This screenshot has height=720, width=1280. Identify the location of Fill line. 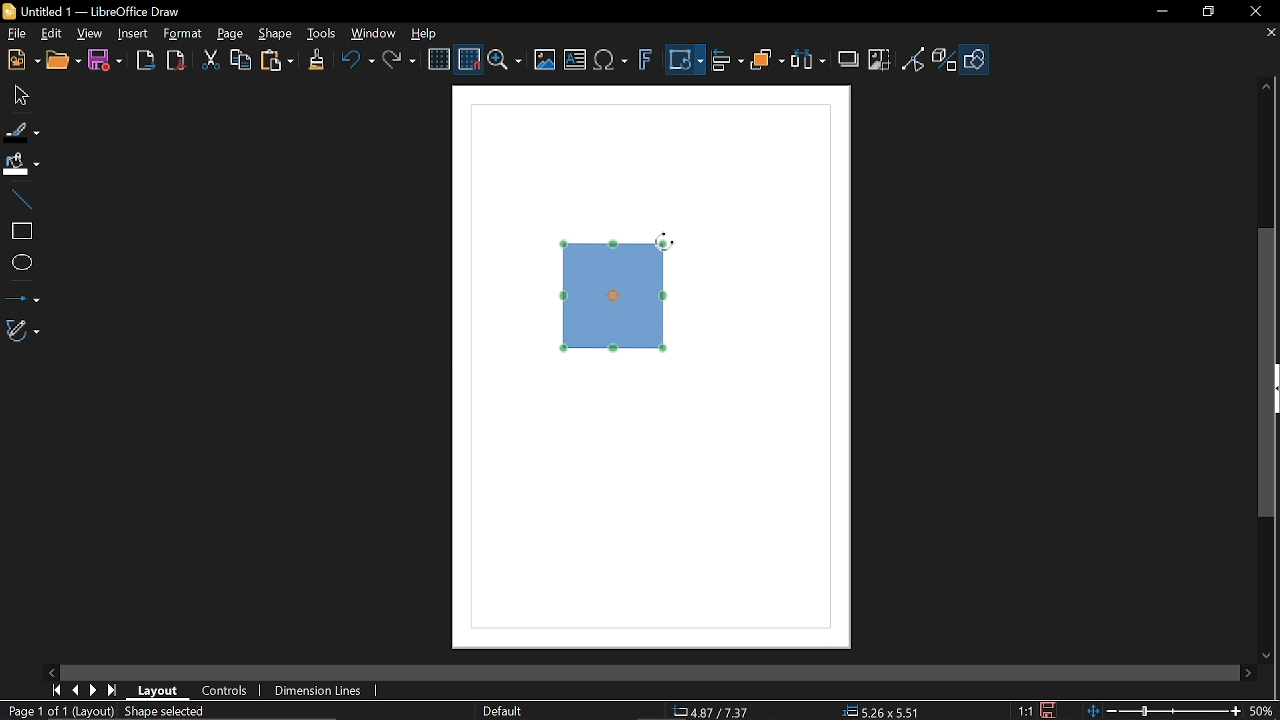
(22, 129).